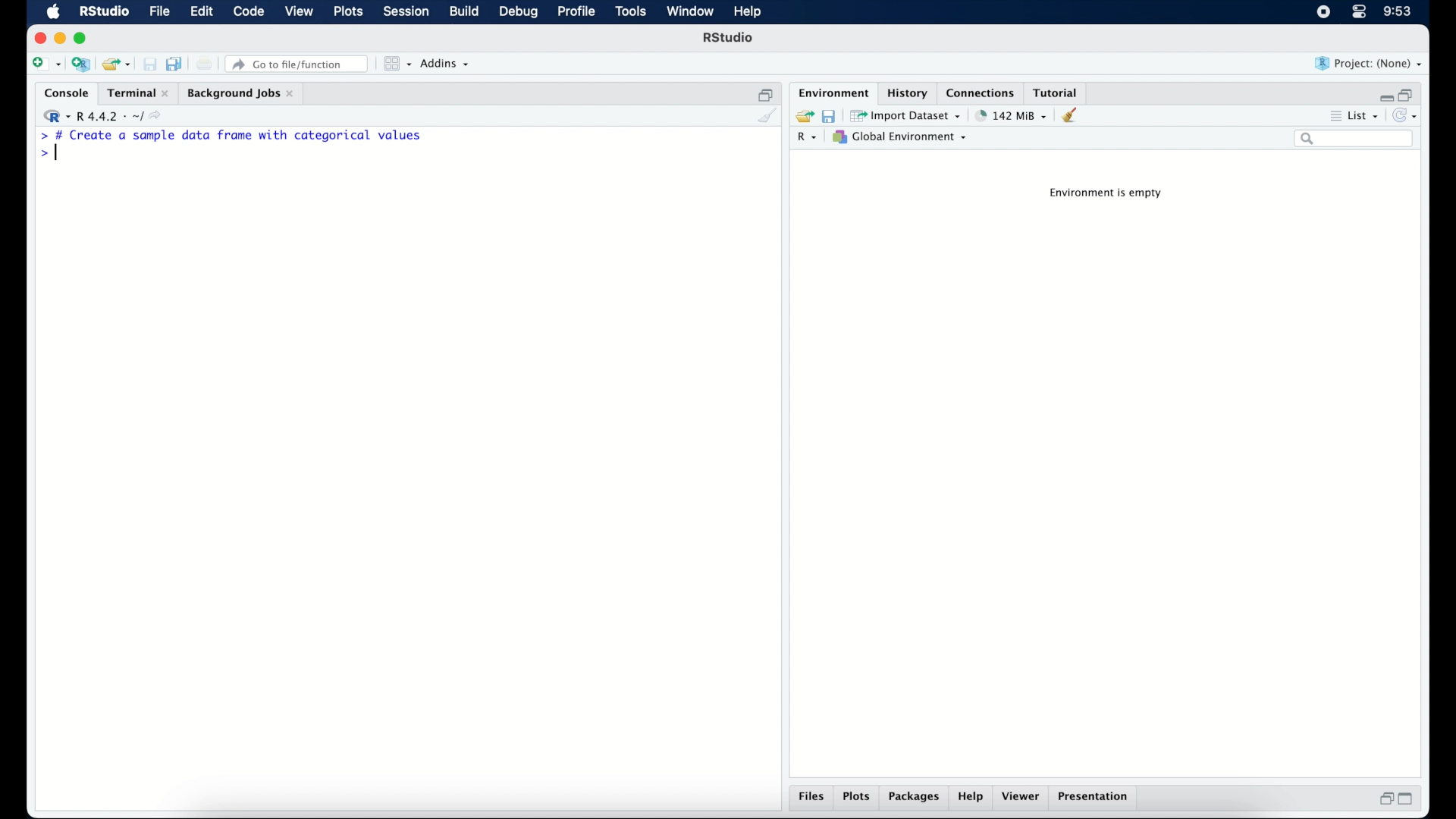  What do you see at coordinates (59, 38) in the screenshot?
I see `minimzie` at bounding box center [59, 38].